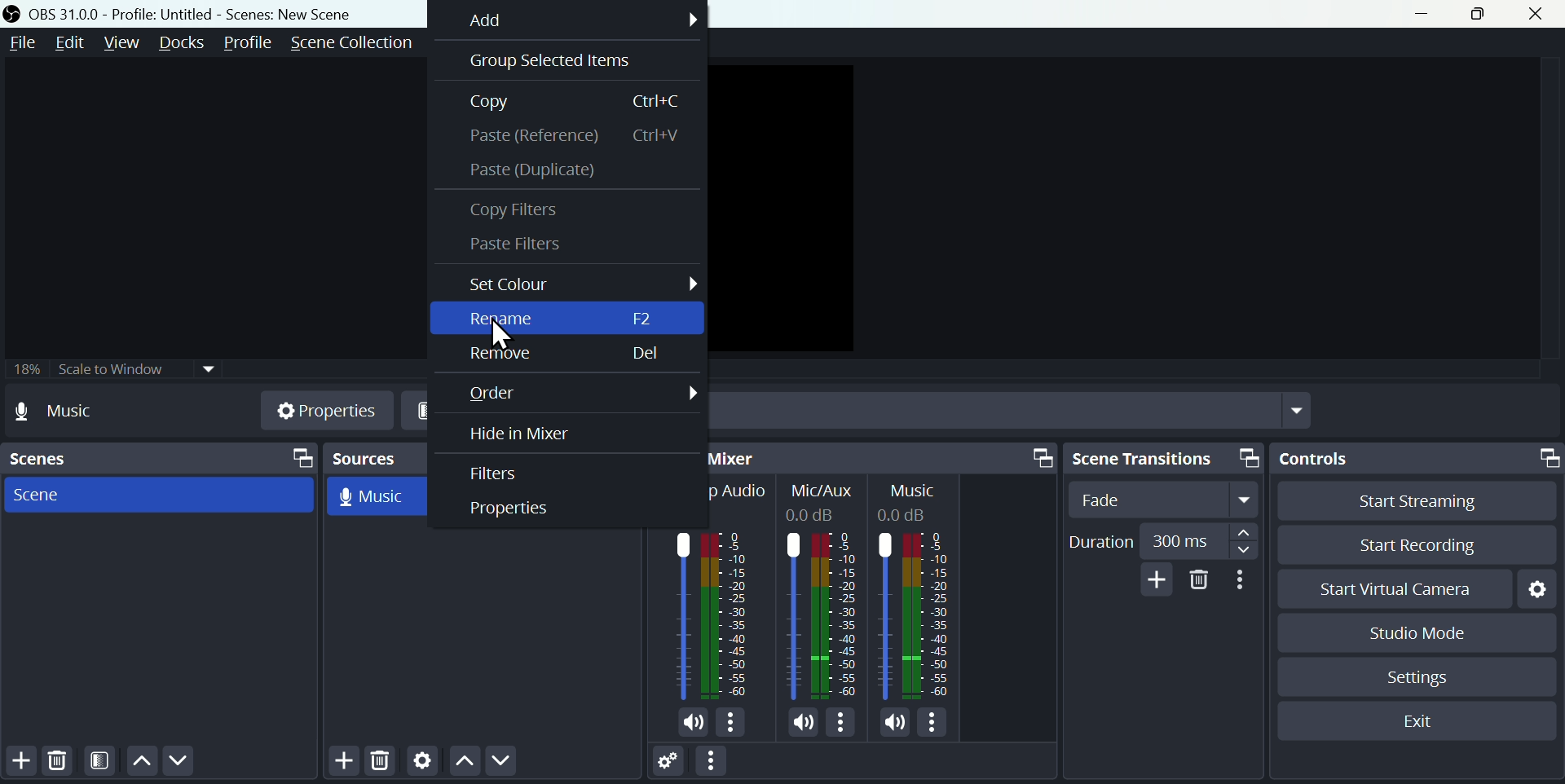 The height and width of the screenshot is (784, 1565). What do you see at coordinates (421, 764) in the screenshot?
I see `Settings` at bounding box center [421, 764].